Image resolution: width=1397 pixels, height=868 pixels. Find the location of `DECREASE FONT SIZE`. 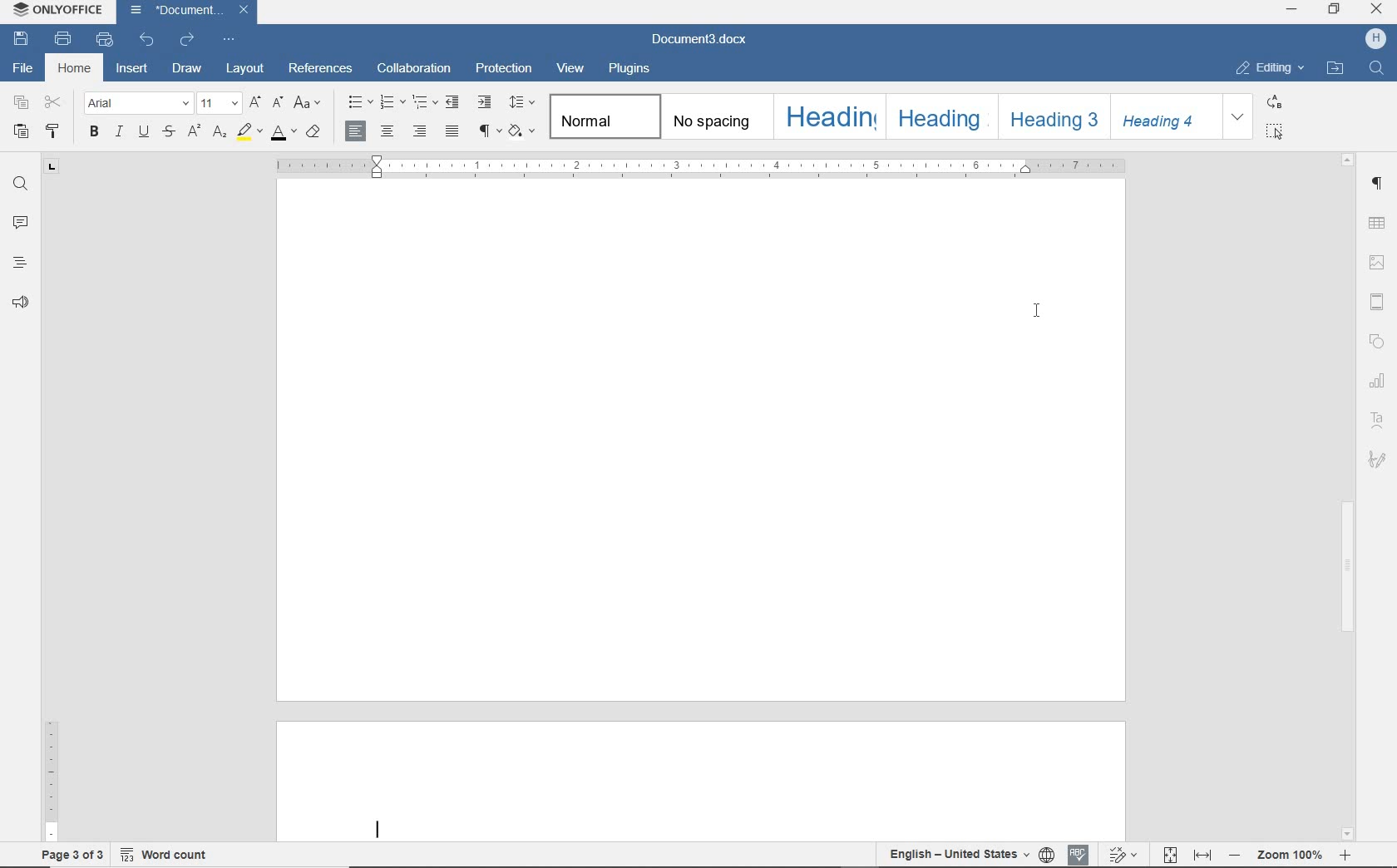

DECREASE FONT SIZE is located at coordinates (278, 102).